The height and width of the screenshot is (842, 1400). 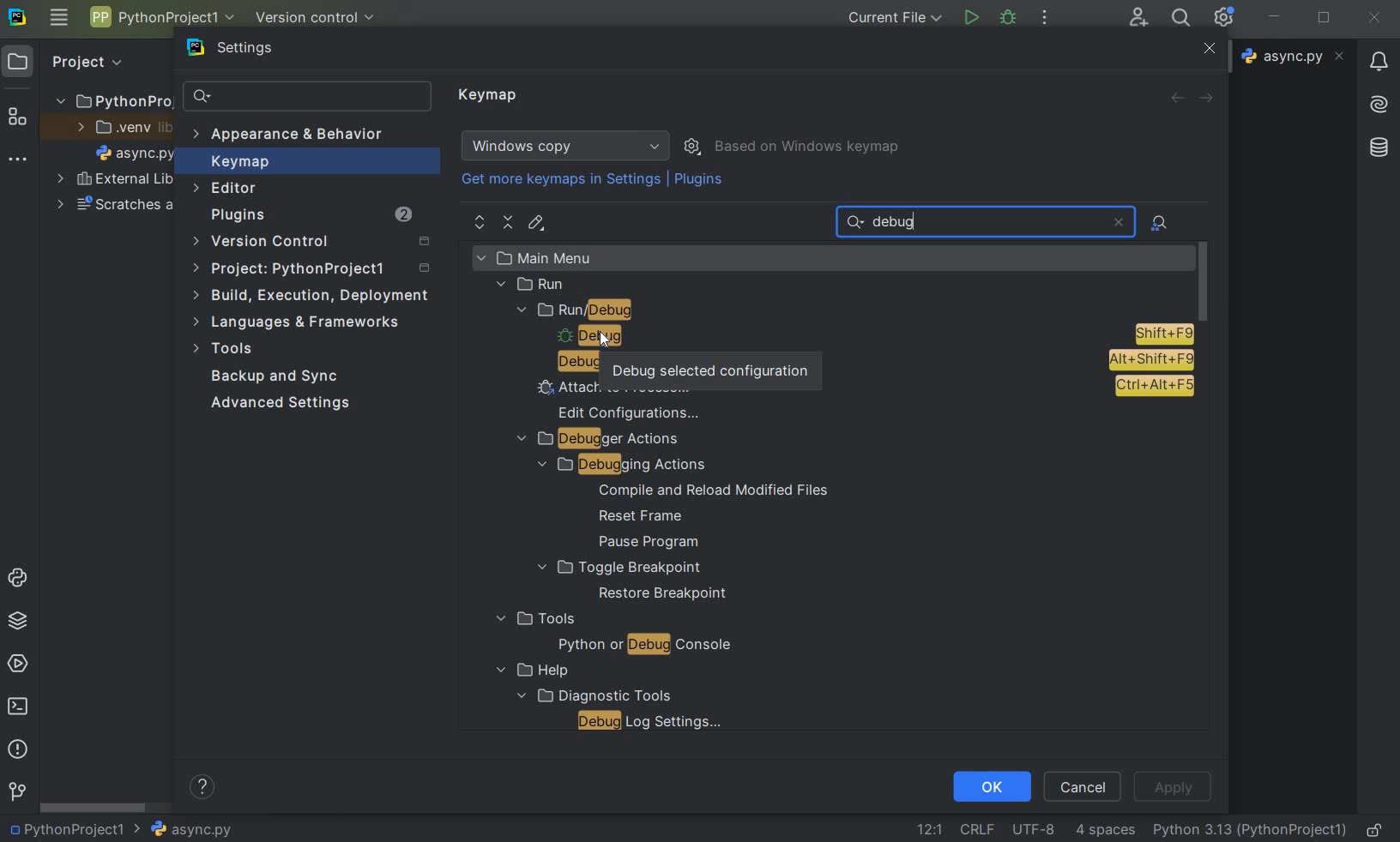 What do you see at coordinates (94, 808) in the screenshot?
I see `scrollbar` at bounding box center [94, 808].